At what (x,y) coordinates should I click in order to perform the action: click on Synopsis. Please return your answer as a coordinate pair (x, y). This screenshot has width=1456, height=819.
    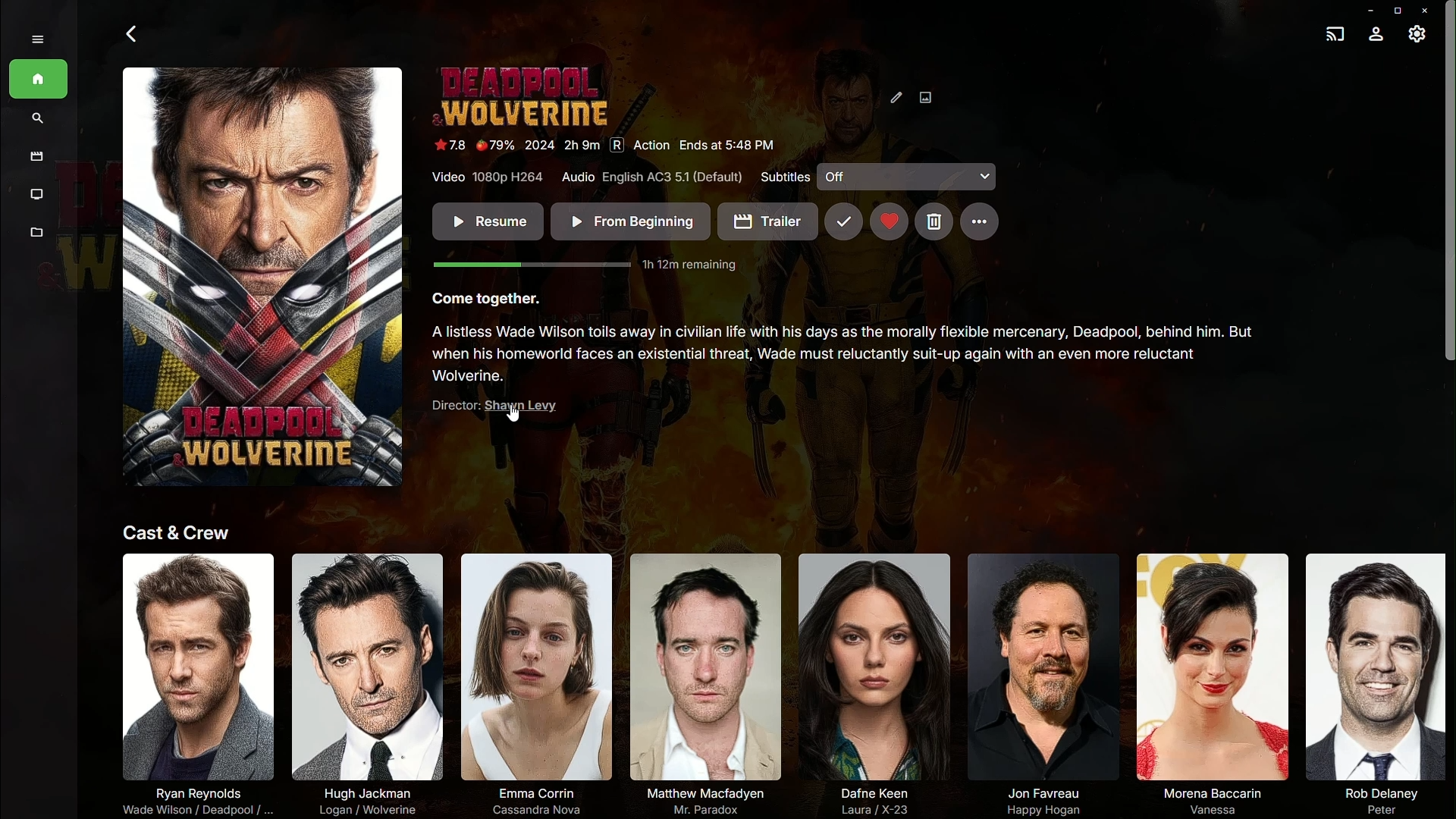
    Looking at the image, I should click on (846, 356).